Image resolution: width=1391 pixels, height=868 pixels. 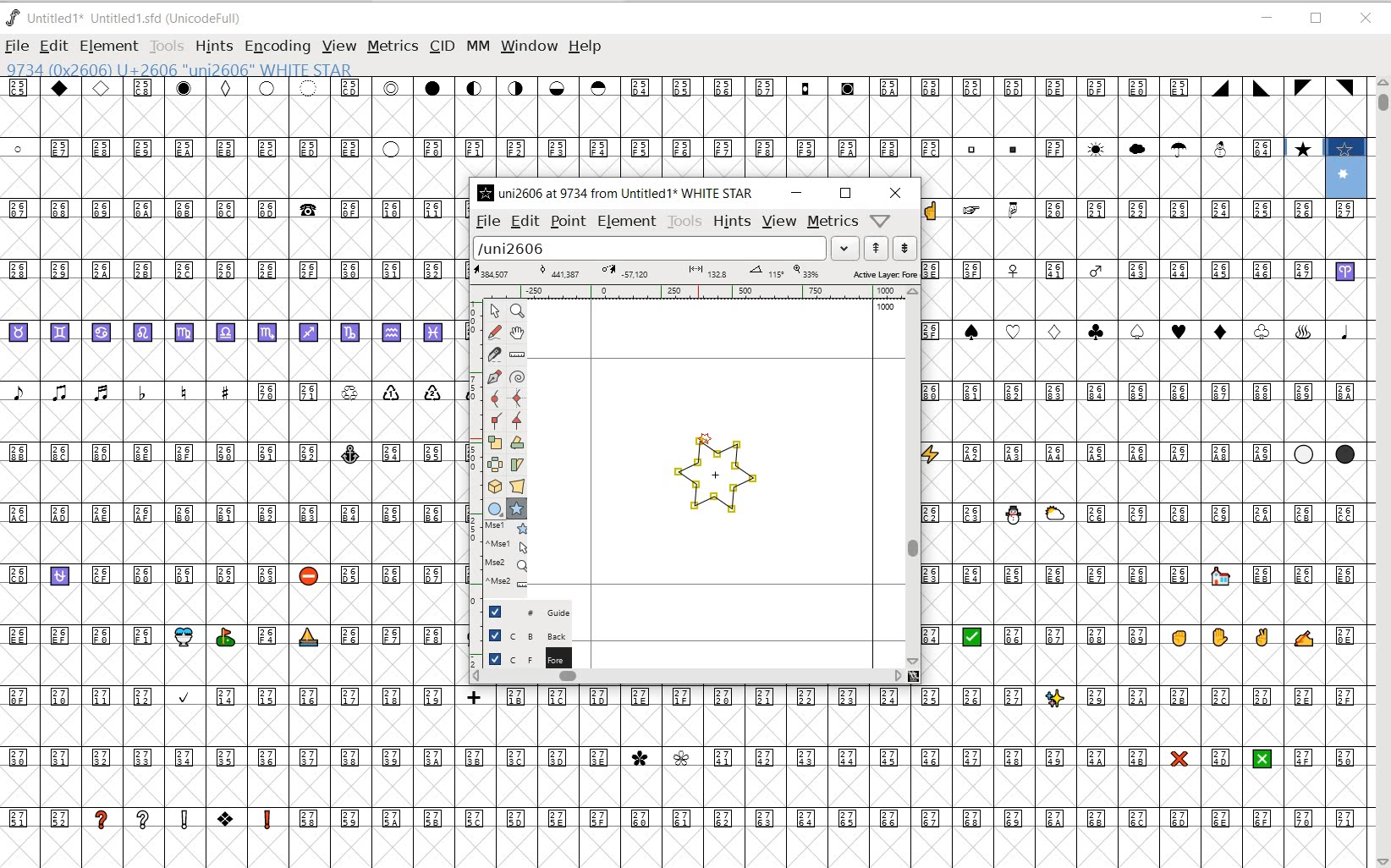 I want to click on GLYPHY CHARACTERS & NUMBERS, so click(x=658, y=127).